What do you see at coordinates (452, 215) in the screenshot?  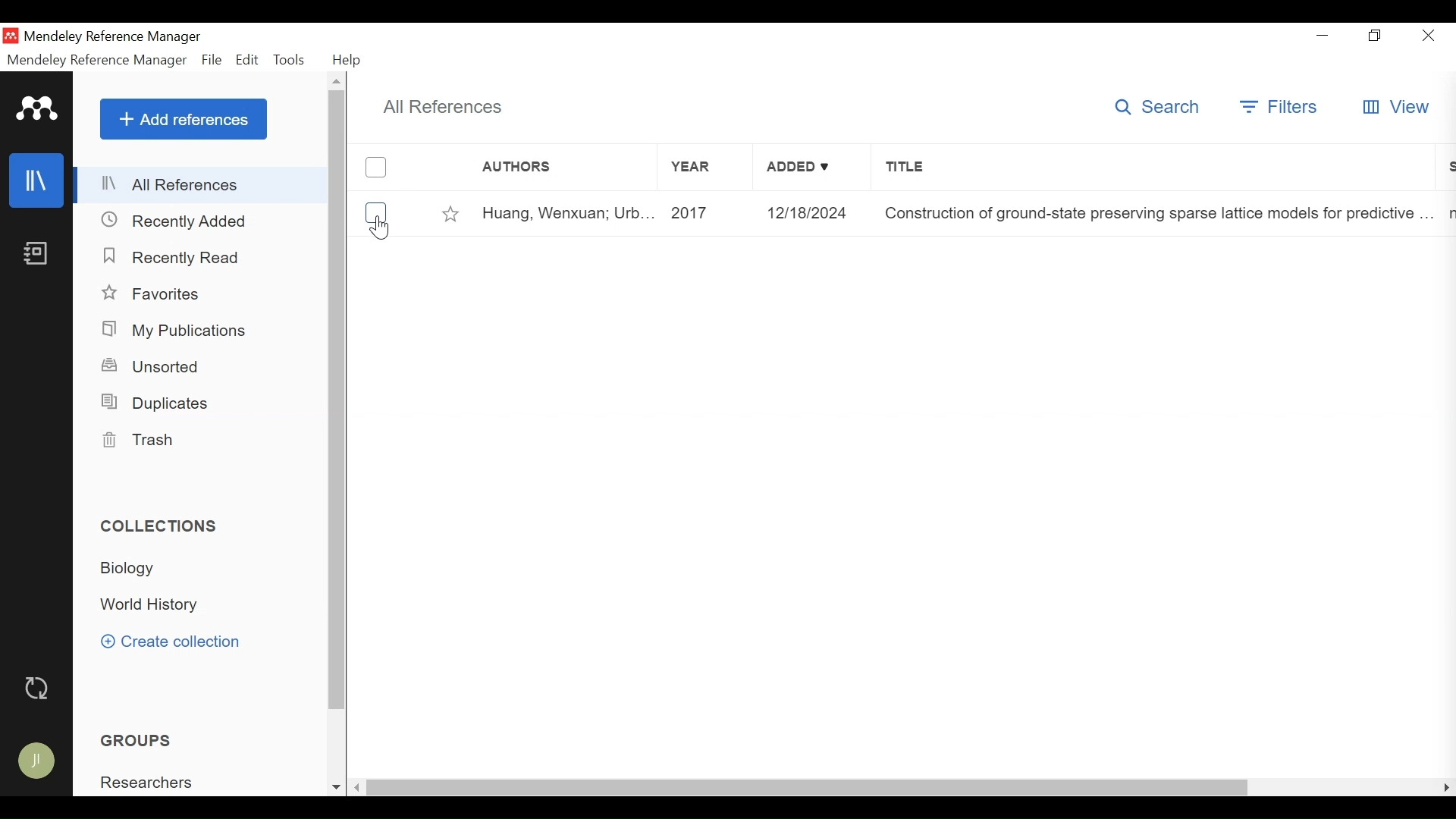 I see `Toggle Favorites` at bounding box center [452, 215].